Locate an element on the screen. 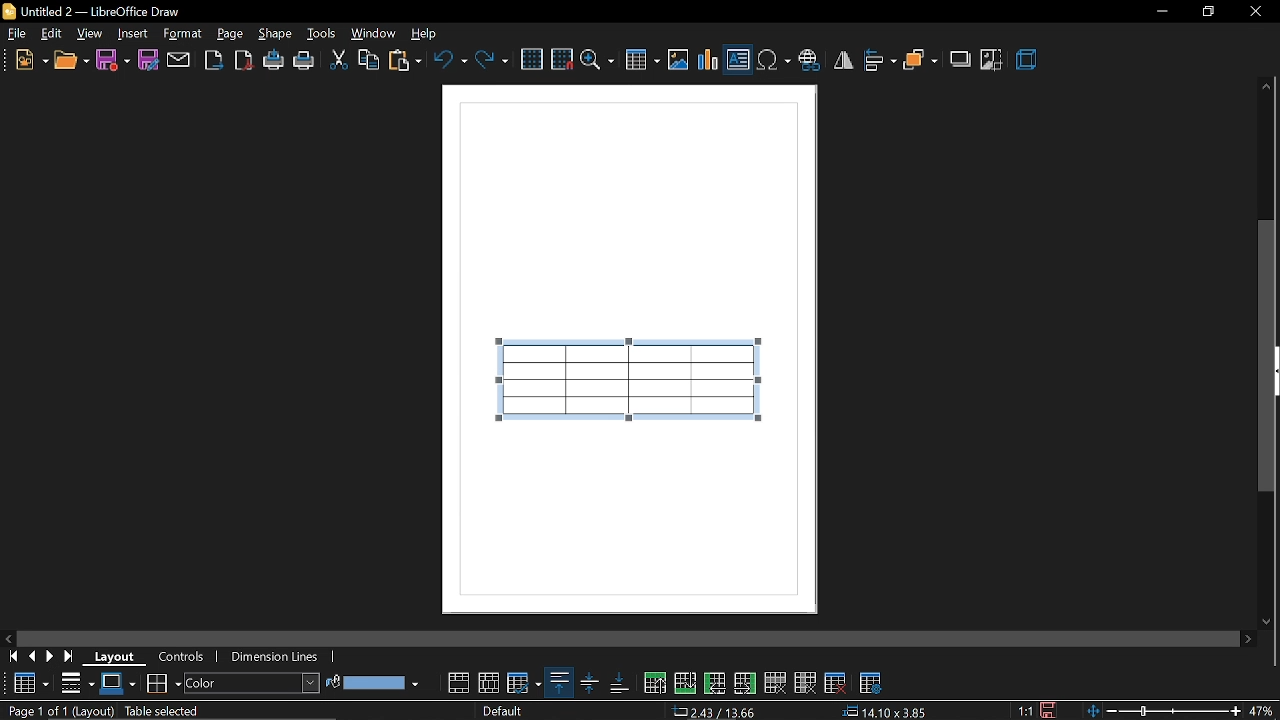 The width and height of the screenshot is (1280, 720). save is located at coordinates (1050, 709).